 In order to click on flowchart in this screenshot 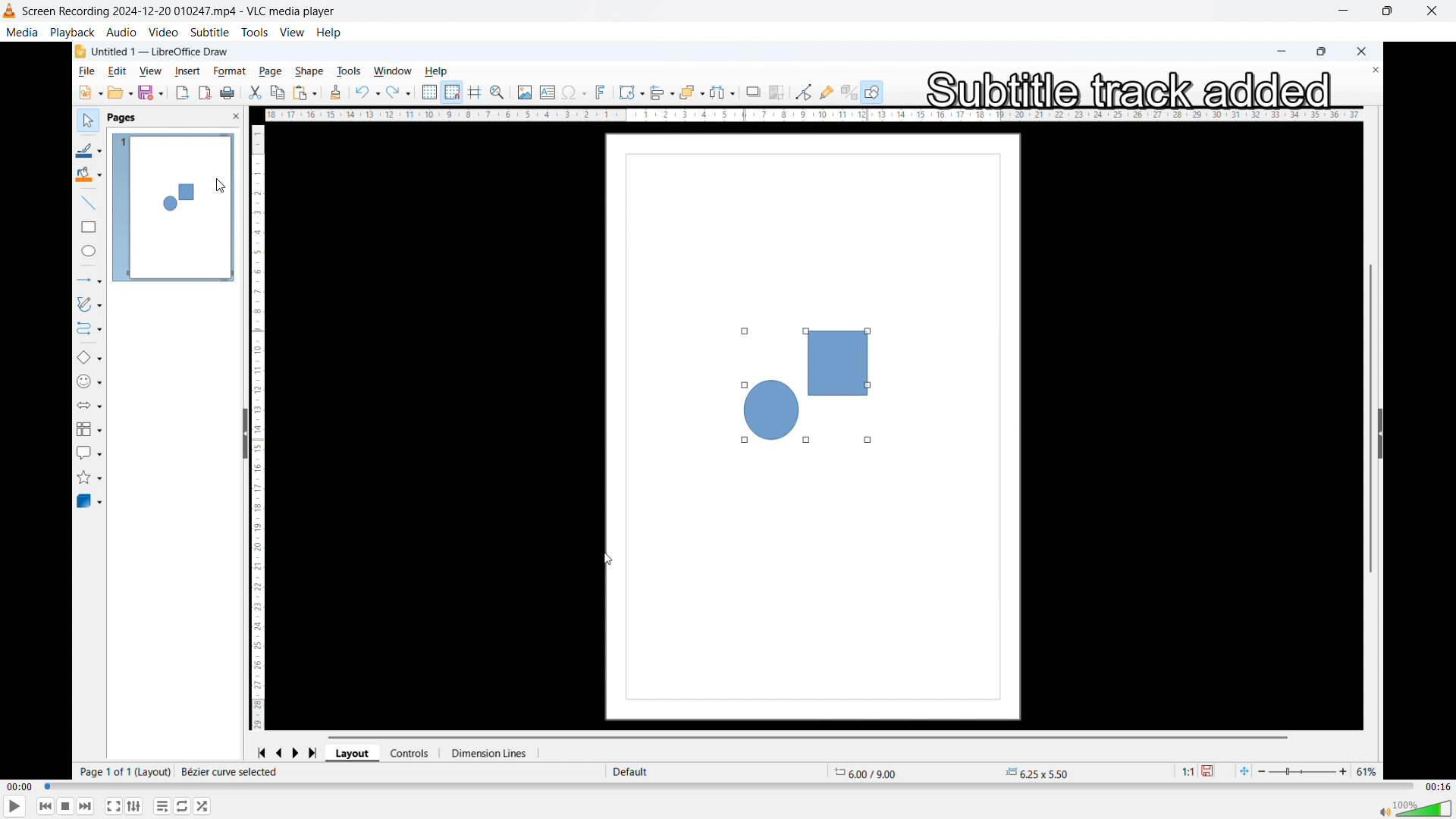, I will do `click(89, 428)`.